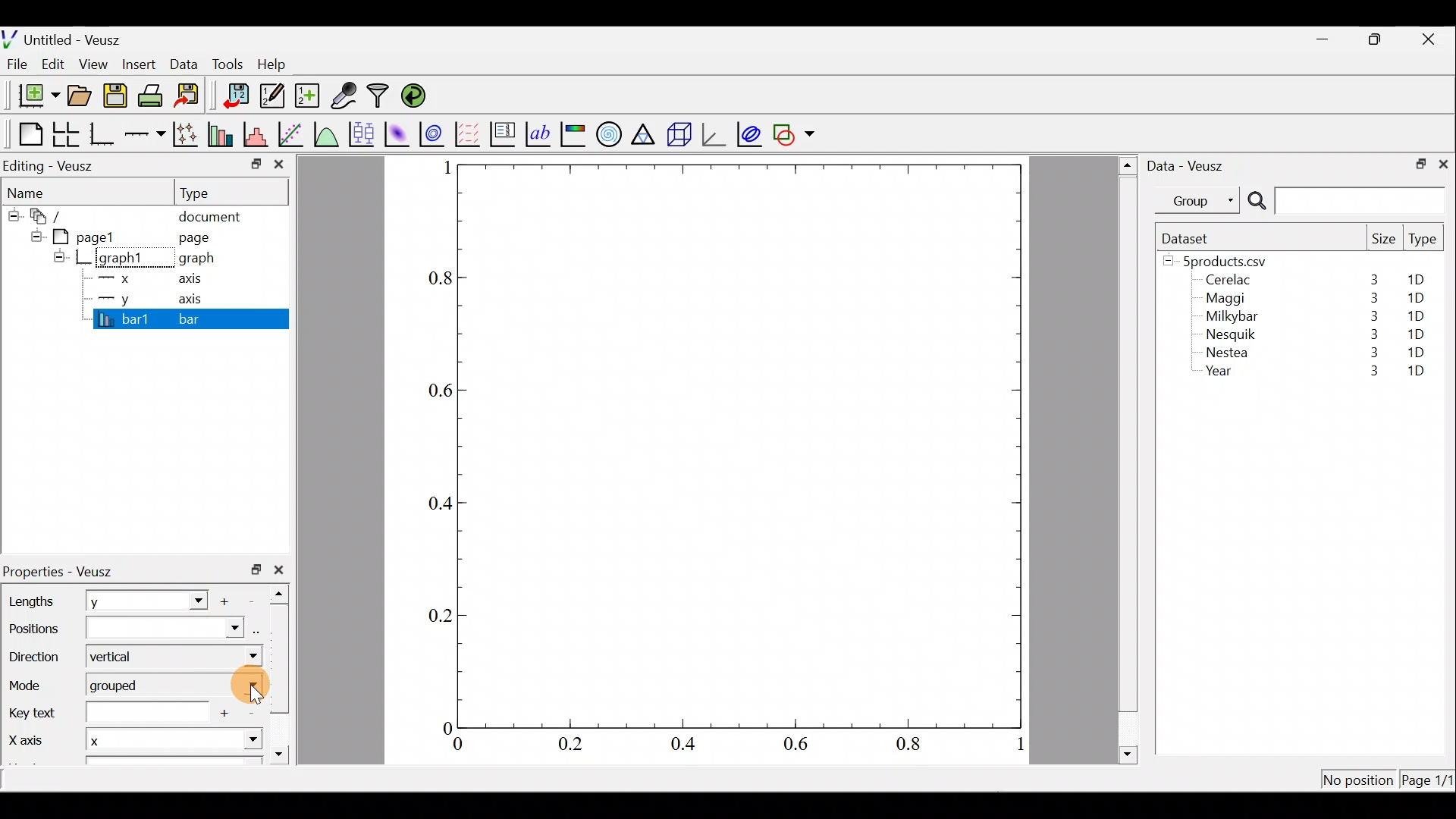  Describe the element at coordinates (1412, 315) in the screenshot. I see `1D` at that location.